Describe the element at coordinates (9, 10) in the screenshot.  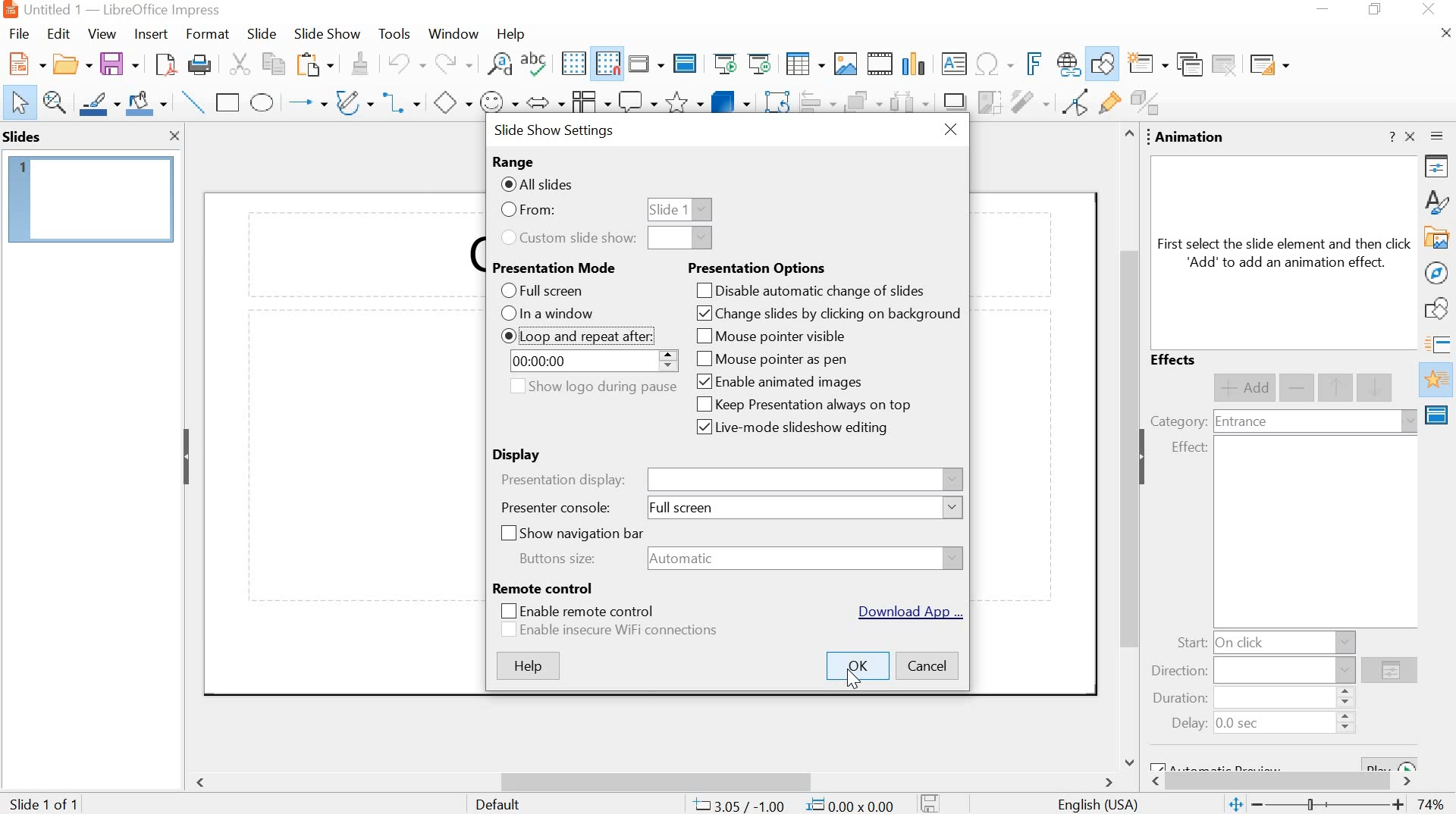
I see `app icon` at that location.